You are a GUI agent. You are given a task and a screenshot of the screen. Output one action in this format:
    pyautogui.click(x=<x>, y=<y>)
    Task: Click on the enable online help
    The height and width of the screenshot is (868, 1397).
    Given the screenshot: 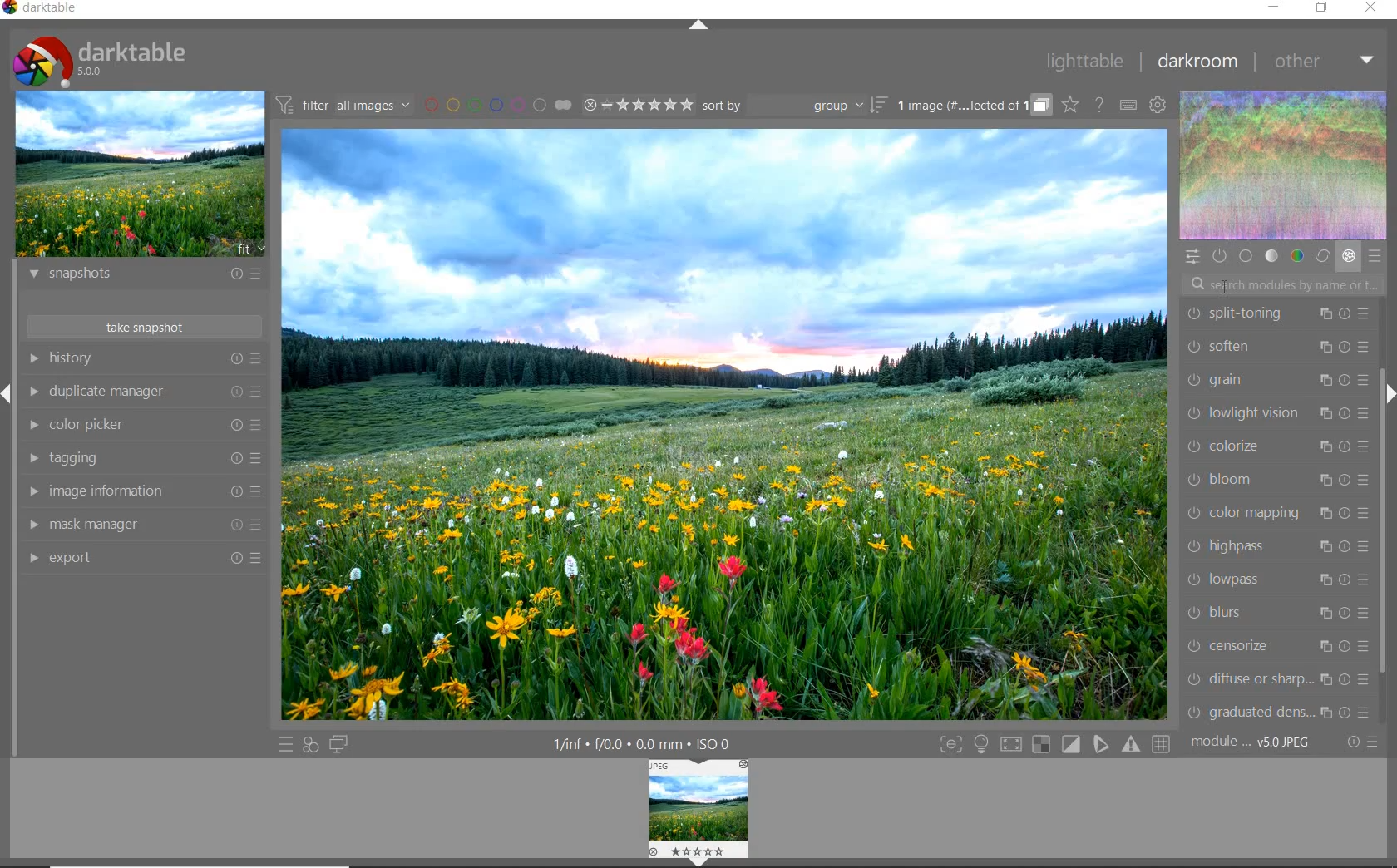 What is the action you would take?
    pyautogui.click(x=1100, y=106)
    